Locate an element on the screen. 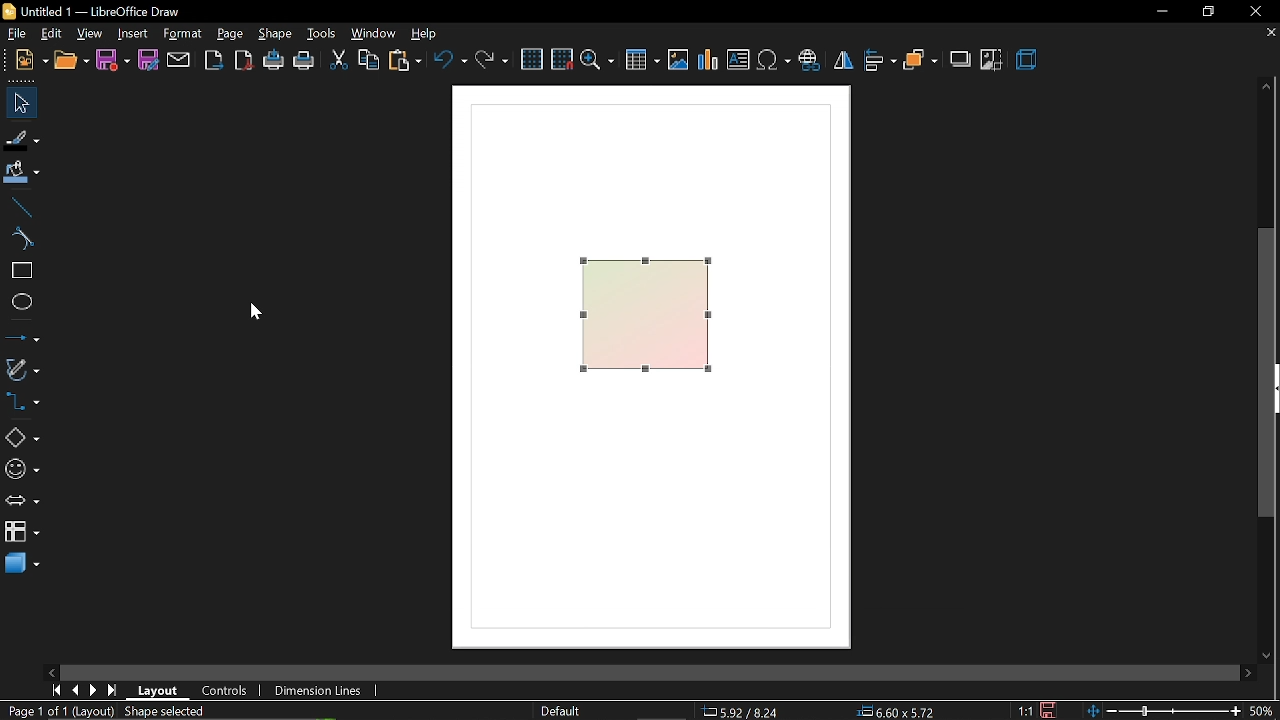 Image resolution: width=1280 pixels, height=720 pixels. 3d shapes is located at coordinates (20, 564).